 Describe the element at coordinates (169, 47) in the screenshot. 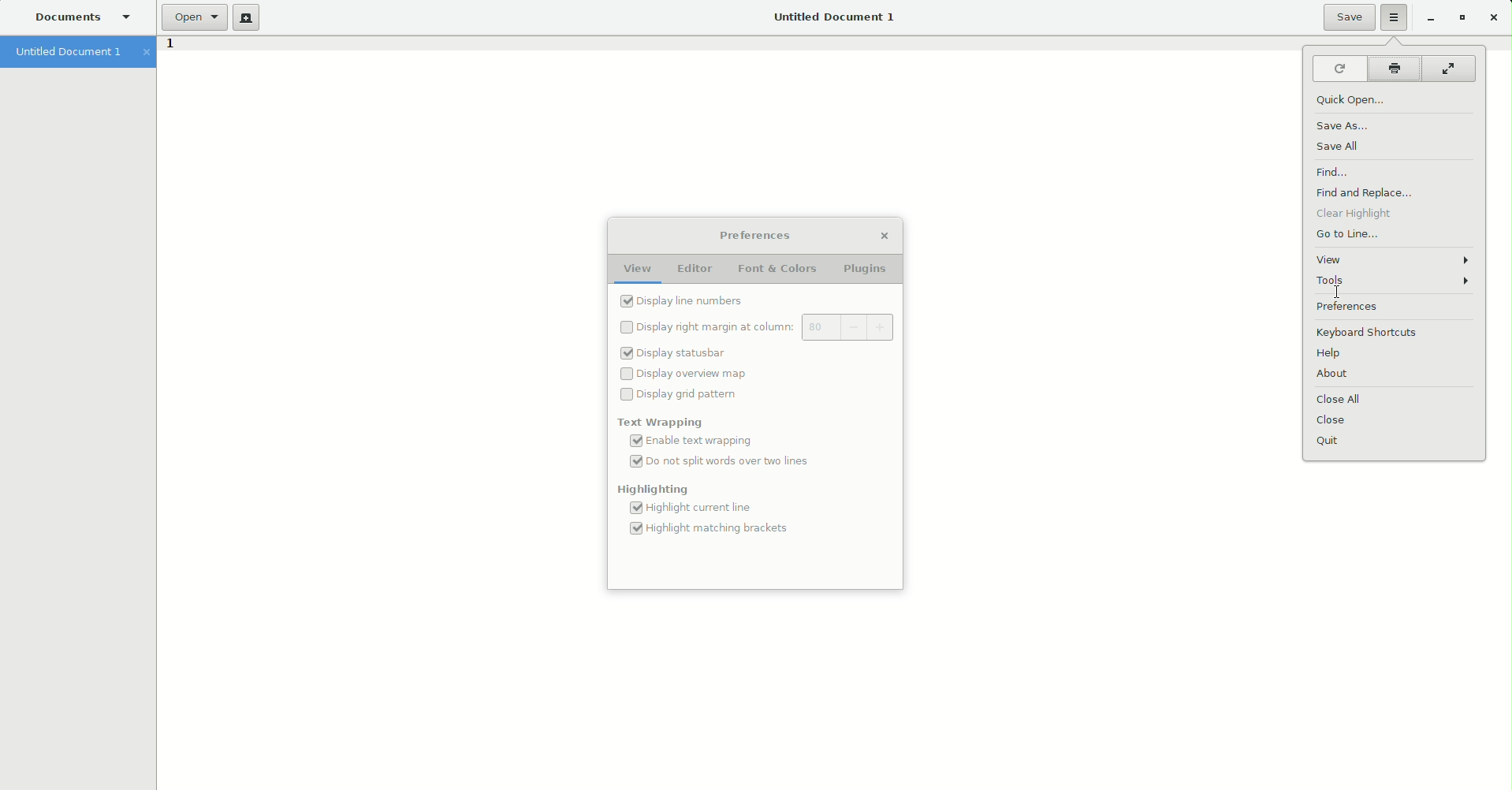

I see `1` at that location.